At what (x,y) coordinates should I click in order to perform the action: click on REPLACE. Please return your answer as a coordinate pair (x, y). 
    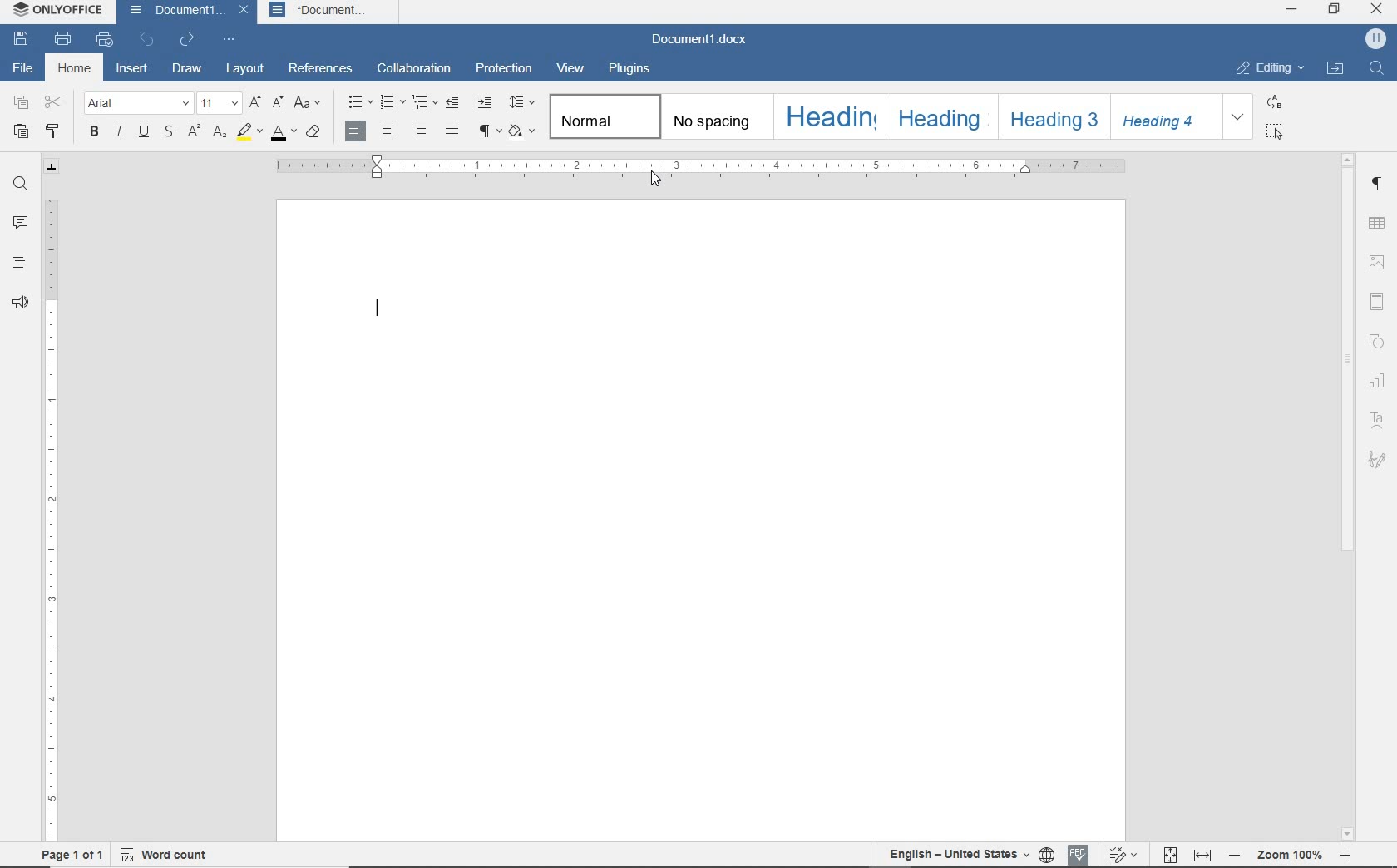
    Looking at the image, I should click on (1274, 102).